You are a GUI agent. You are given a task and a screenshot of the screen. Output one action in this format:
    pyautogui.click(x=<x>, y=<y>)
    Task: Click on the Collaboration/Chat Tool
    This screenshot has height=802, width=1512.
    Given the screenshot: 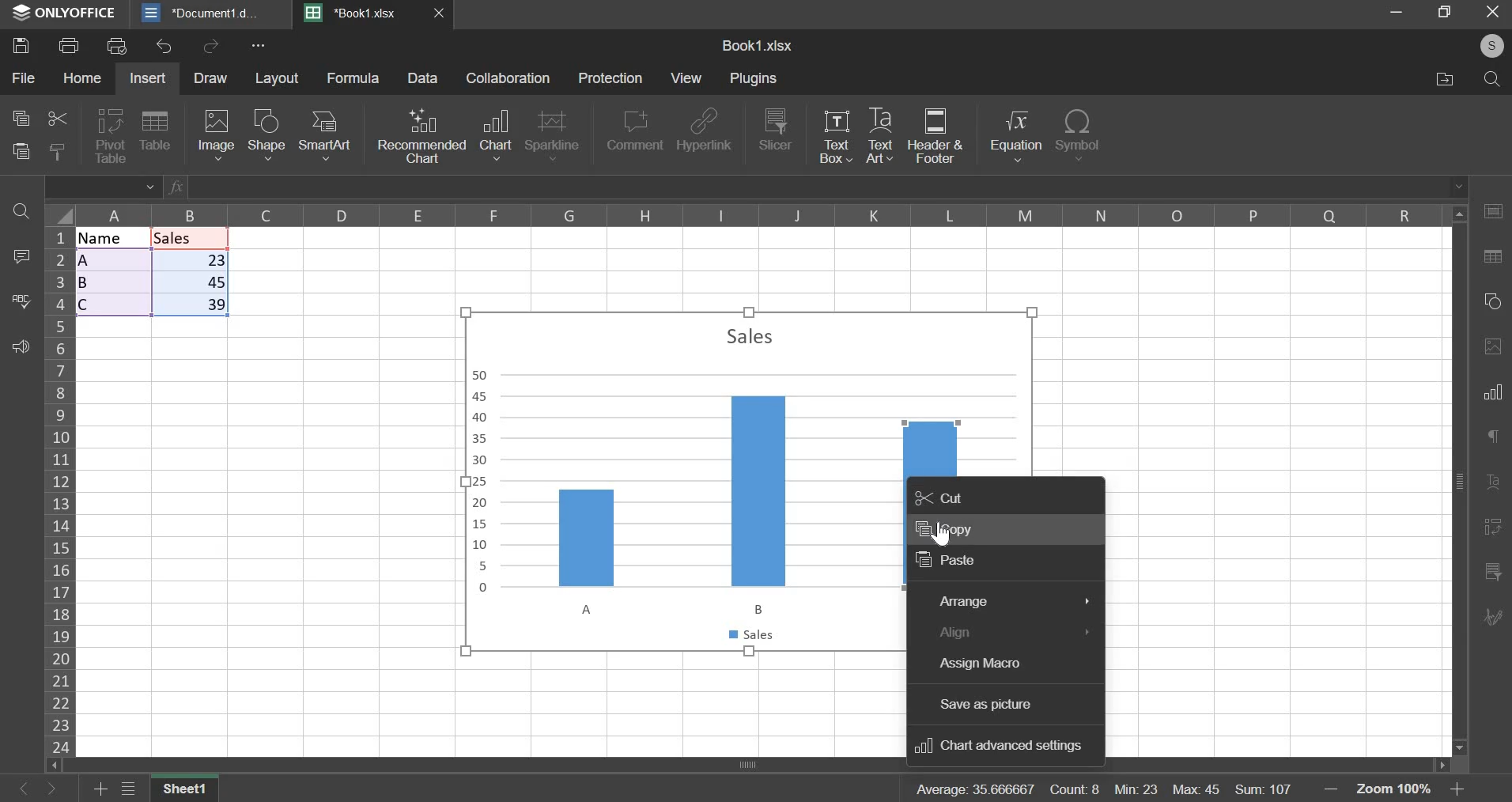 What is the action you would take?
    pyautogui.click(x=1493, y=617)
    